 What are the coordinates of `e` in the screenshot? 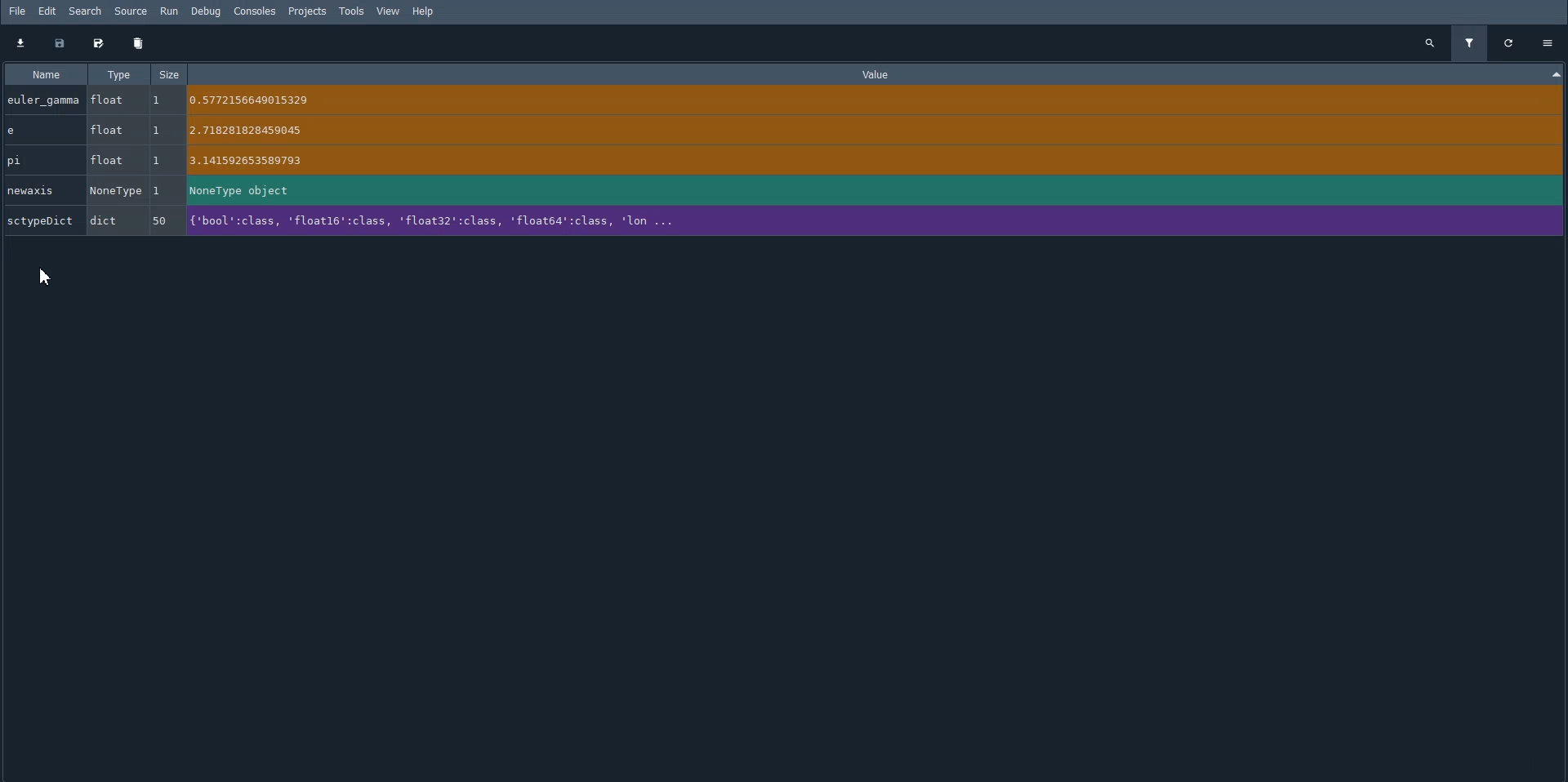 It's located at (182, 130).